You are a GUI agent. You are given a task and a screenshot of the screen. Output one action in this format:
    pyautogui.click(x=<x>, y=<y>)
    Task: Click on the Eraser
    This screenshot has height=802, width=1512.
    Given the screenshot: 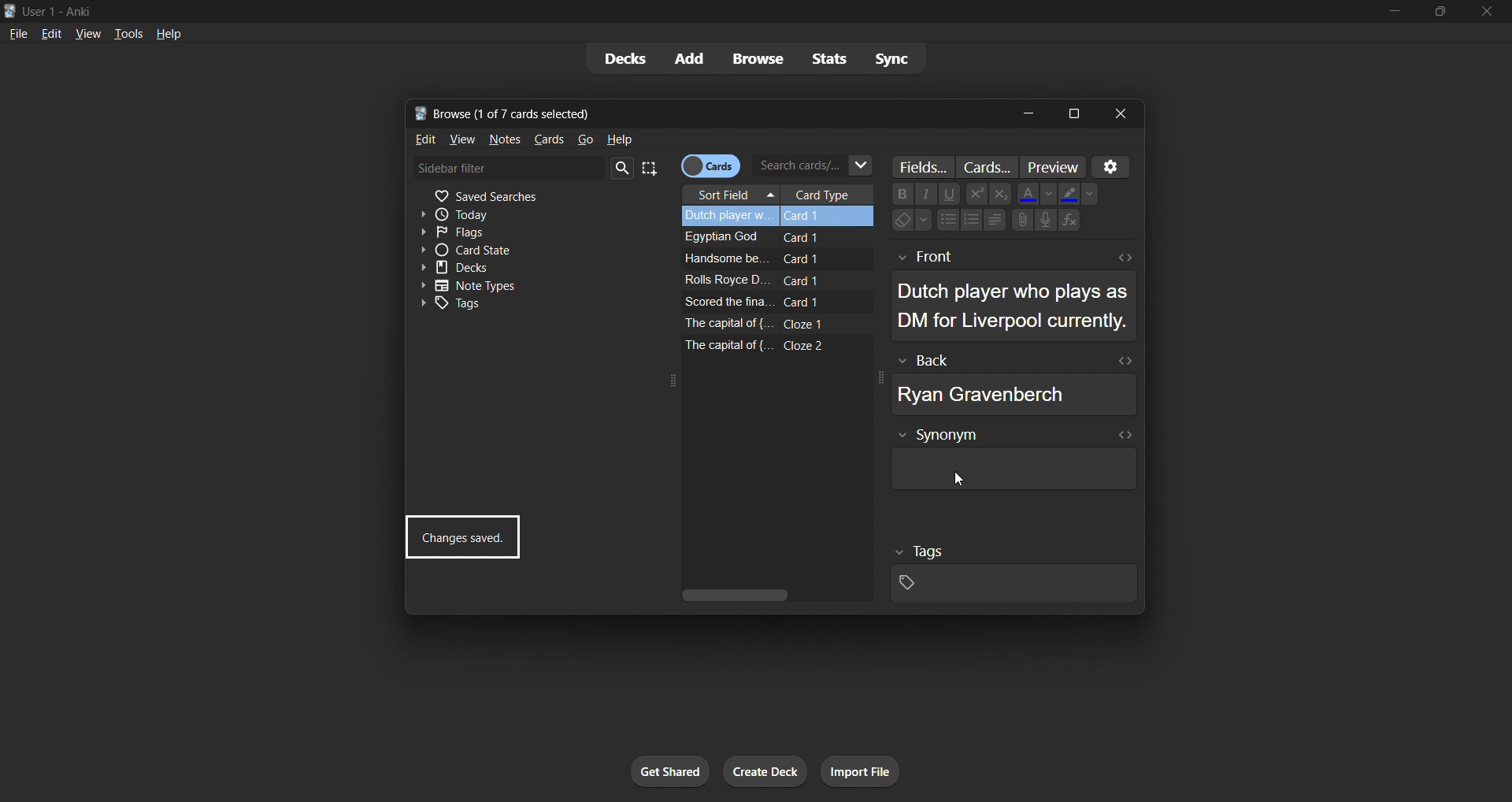 What is the action you would take?
    pyautogui.click(x=897, y=222)
    